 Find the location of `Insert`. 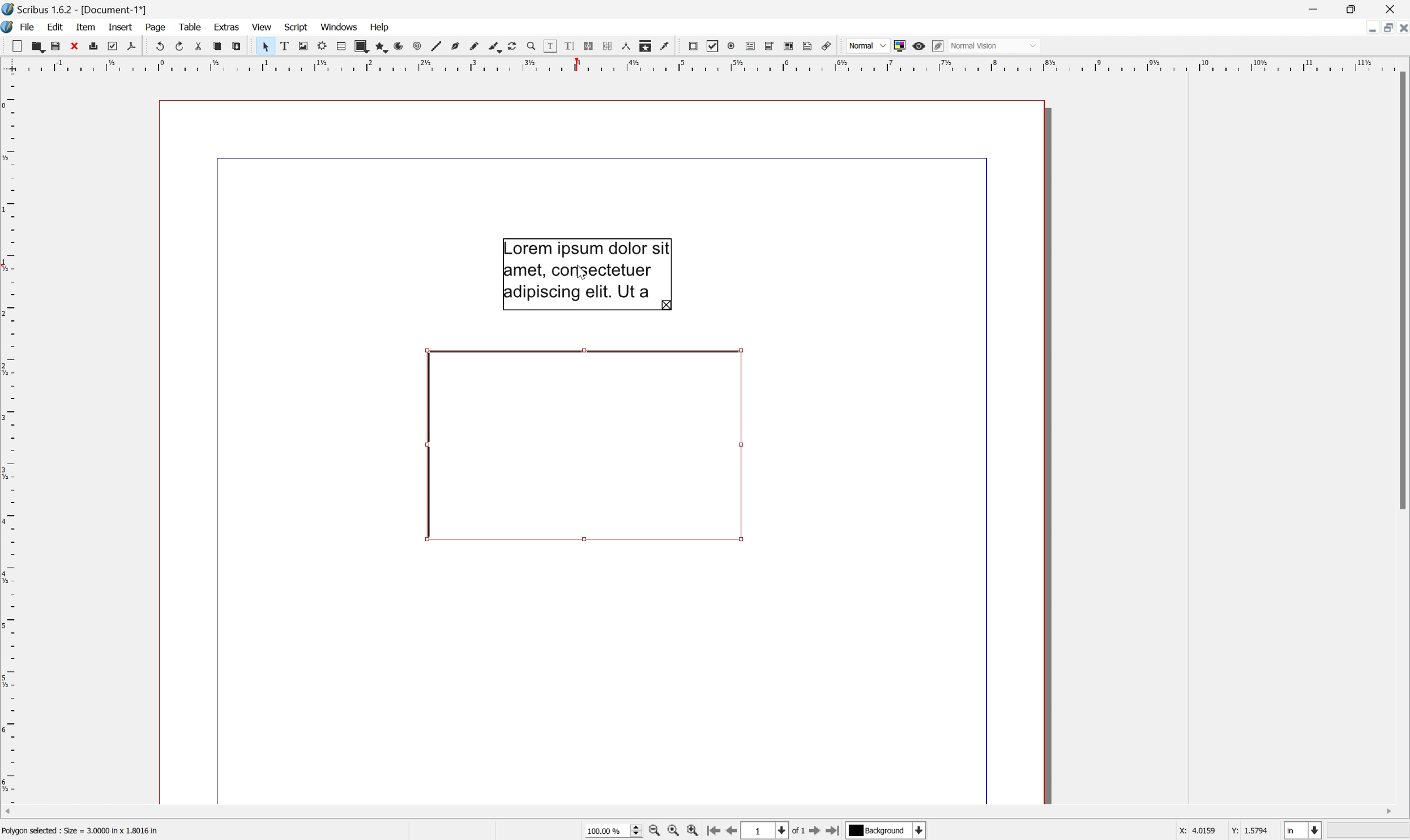

Insert is located at coordinates (119, 26).